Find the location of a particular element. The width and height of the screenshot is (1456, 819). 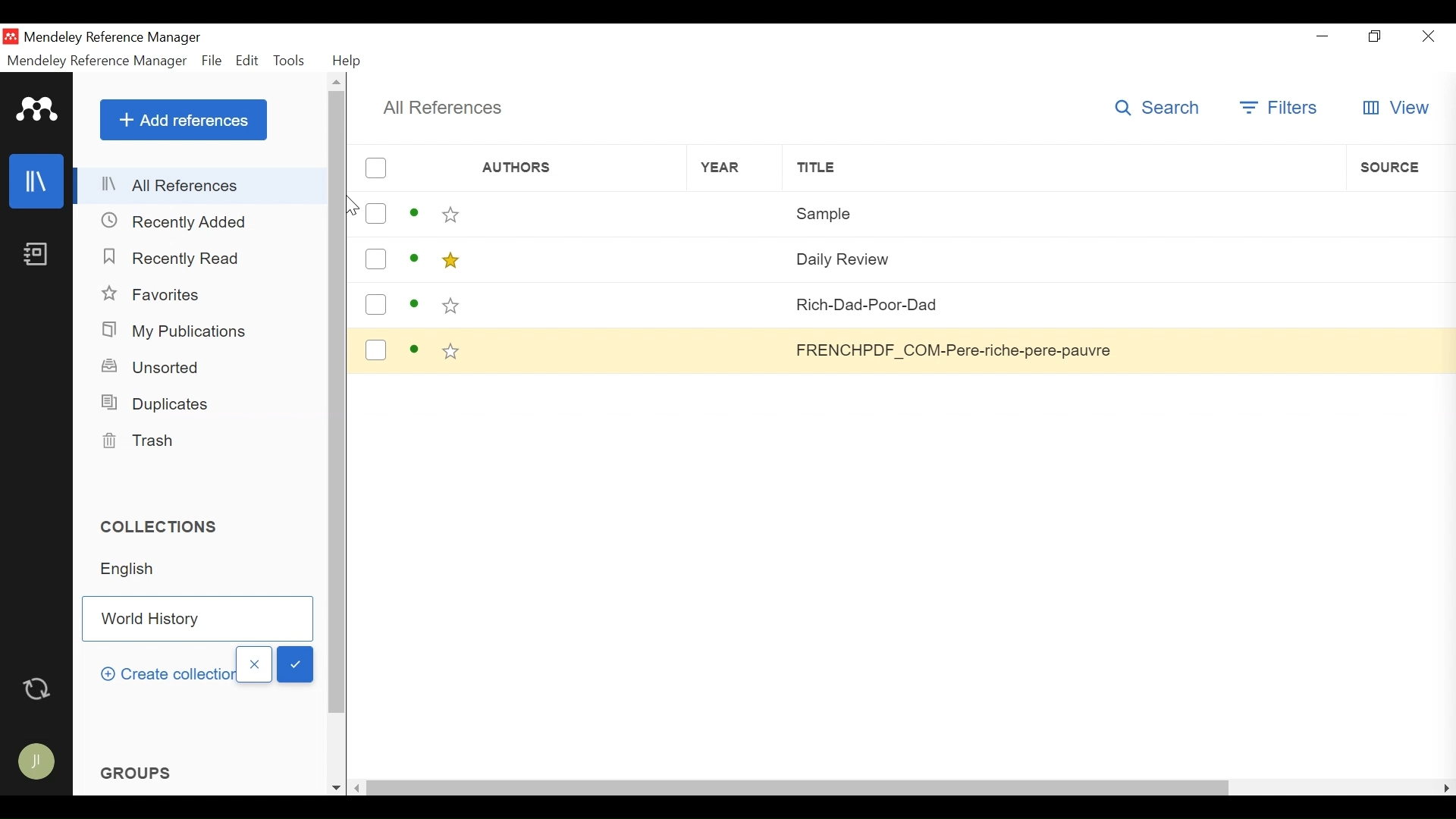

Collection Field is located at coordinates (198, 617).